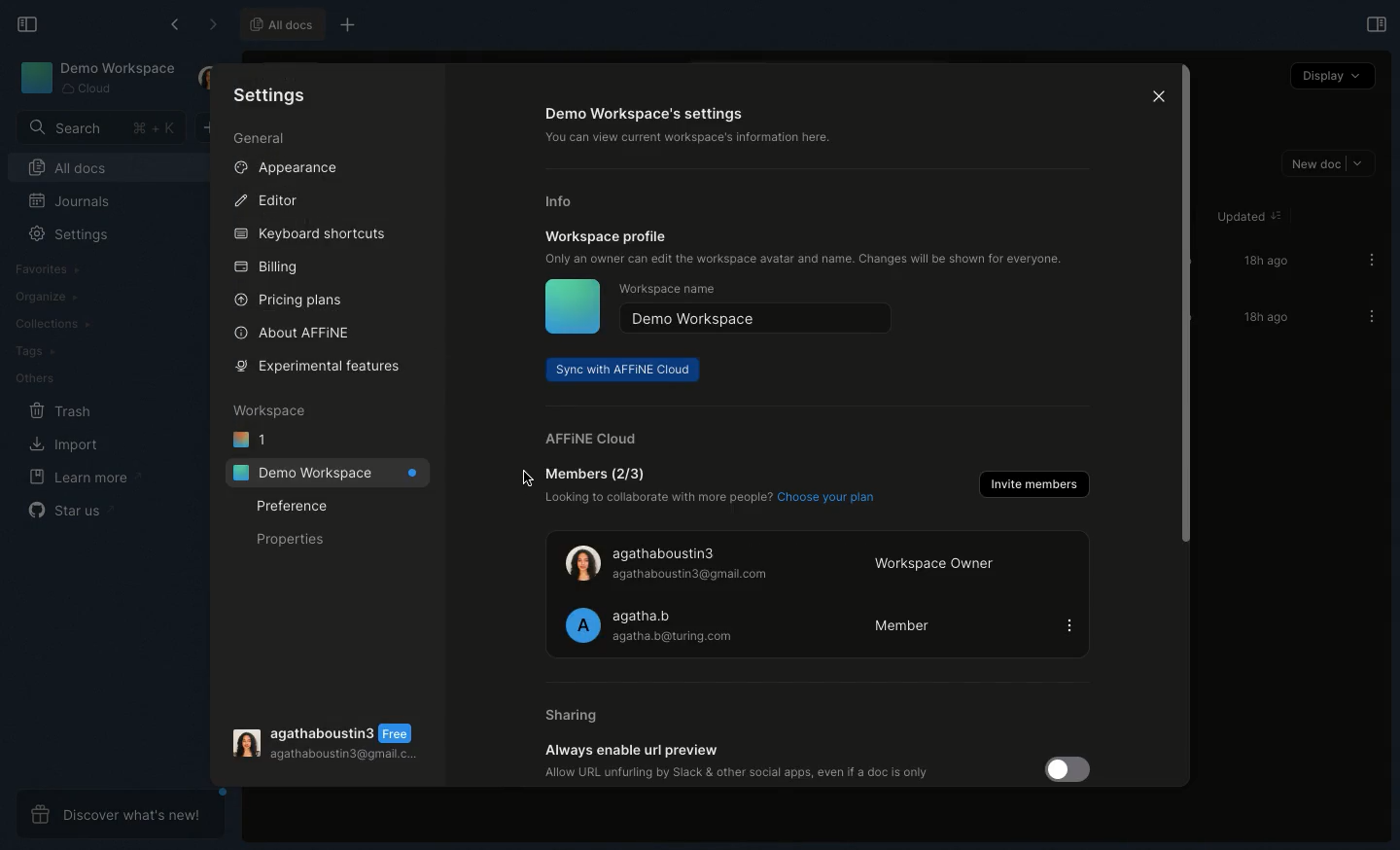  I want to click on Sharing, so click(581, 715).